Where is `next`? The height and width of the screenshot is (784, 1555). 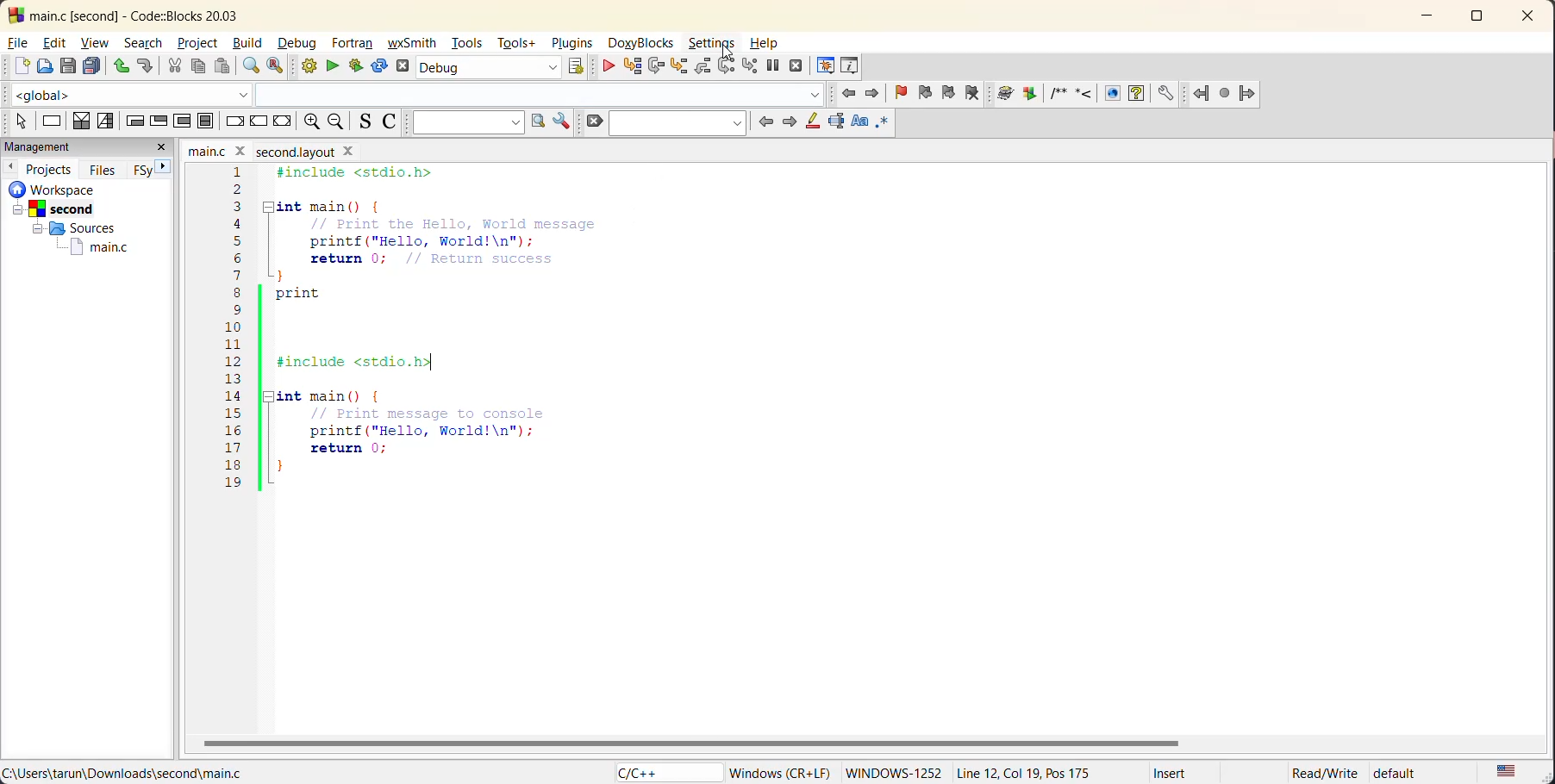 next is located at coordinates (164, 167).